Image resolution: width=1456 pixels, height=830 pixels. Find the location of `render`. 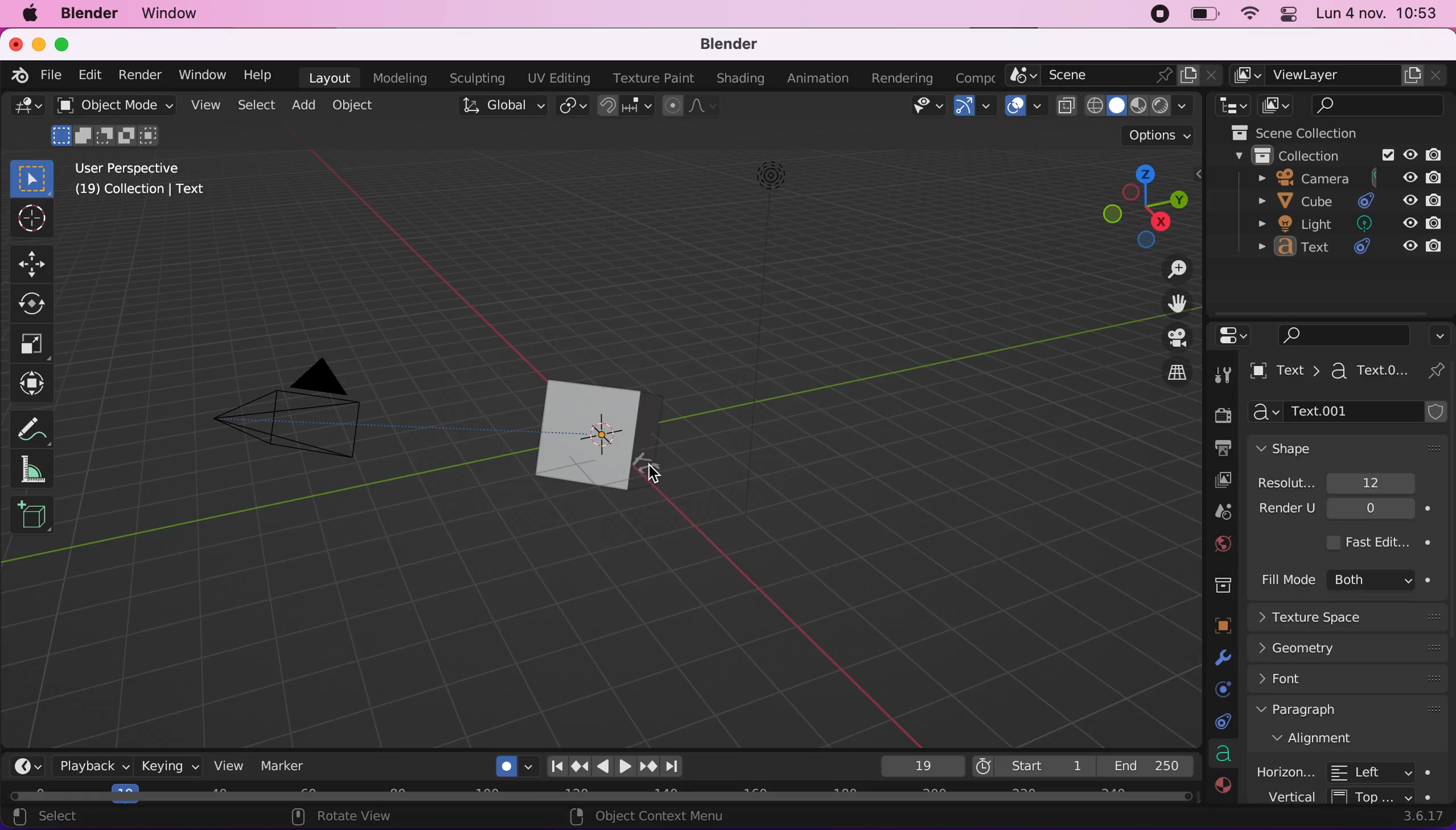

render is located at coordinates (1349, 512).